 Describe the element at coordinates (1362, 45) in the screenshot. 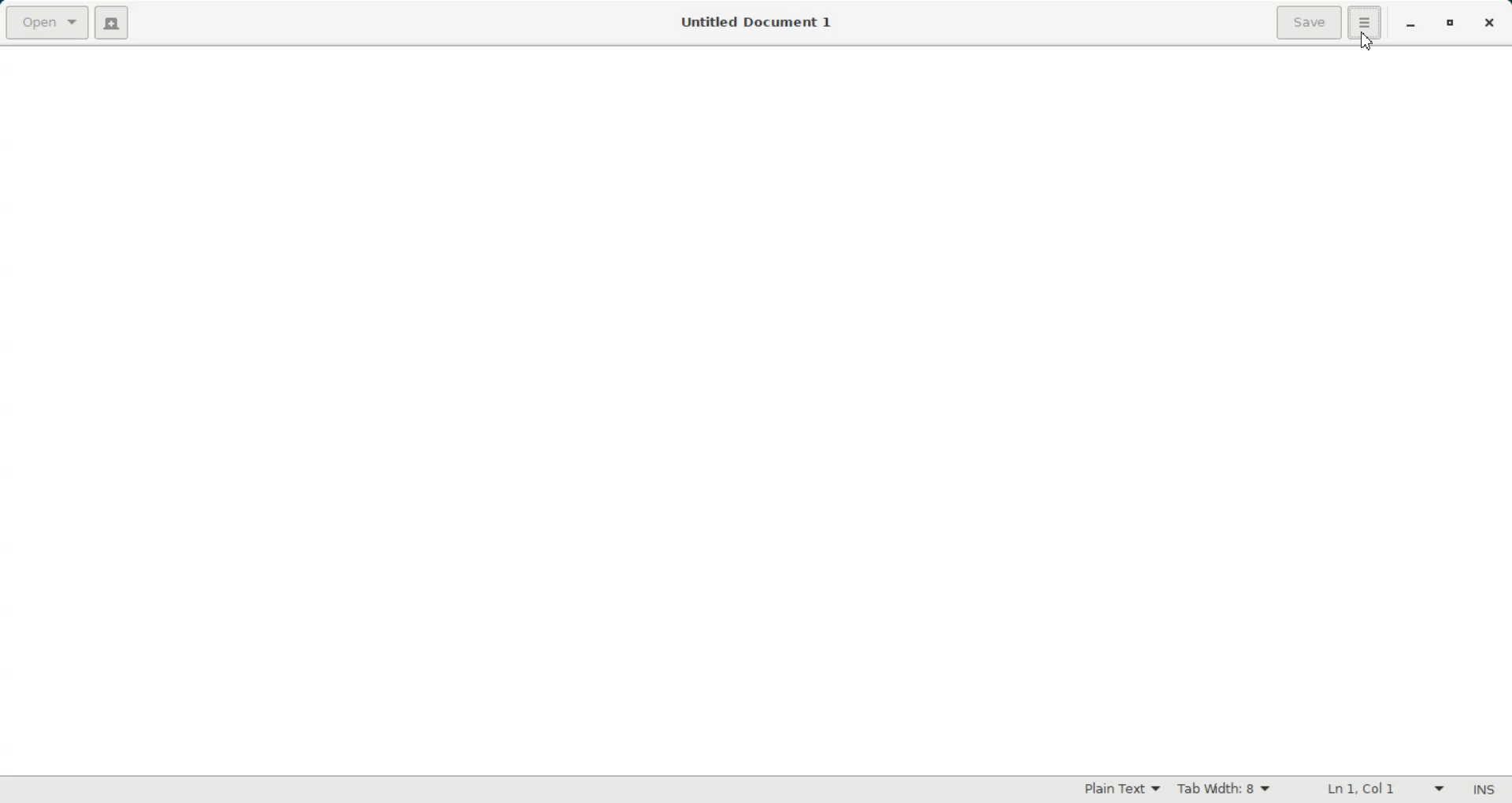

I see `Cursor` at that location.